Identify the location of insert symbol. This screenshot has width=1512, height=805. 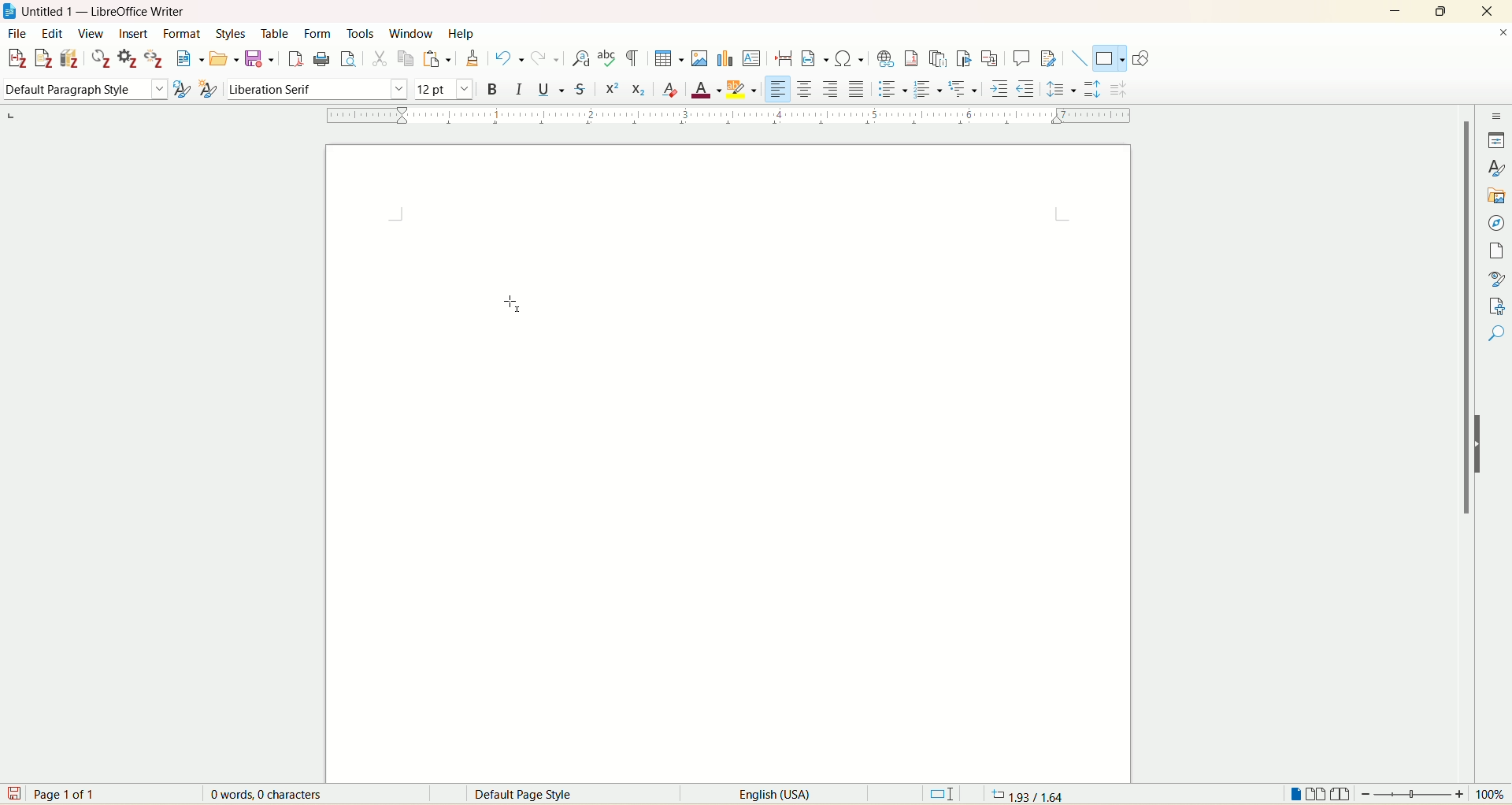
(849, 58).